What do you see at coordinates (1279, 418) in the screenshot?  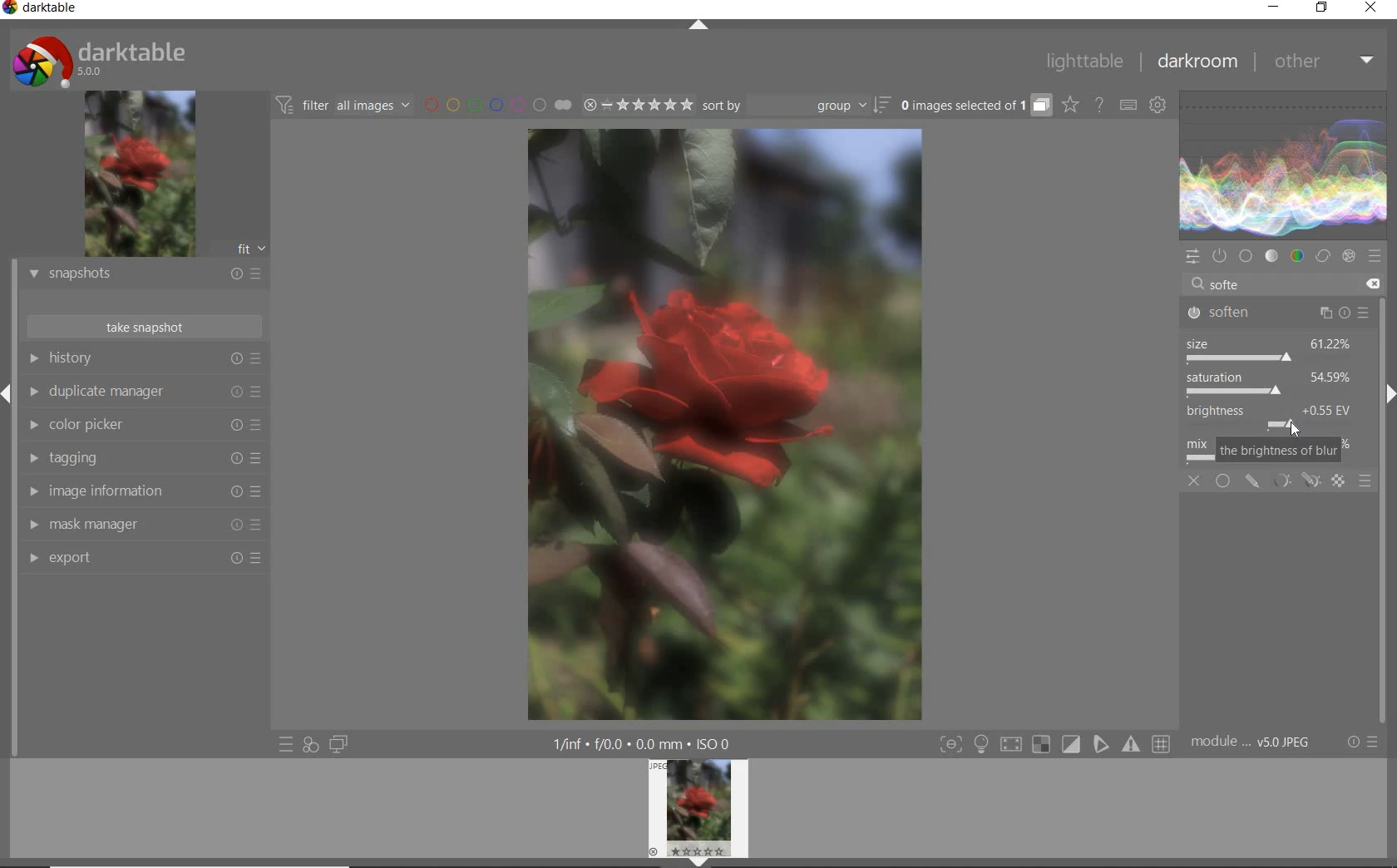 I see `brightness adjusted` at bounding box center [1279, 418].